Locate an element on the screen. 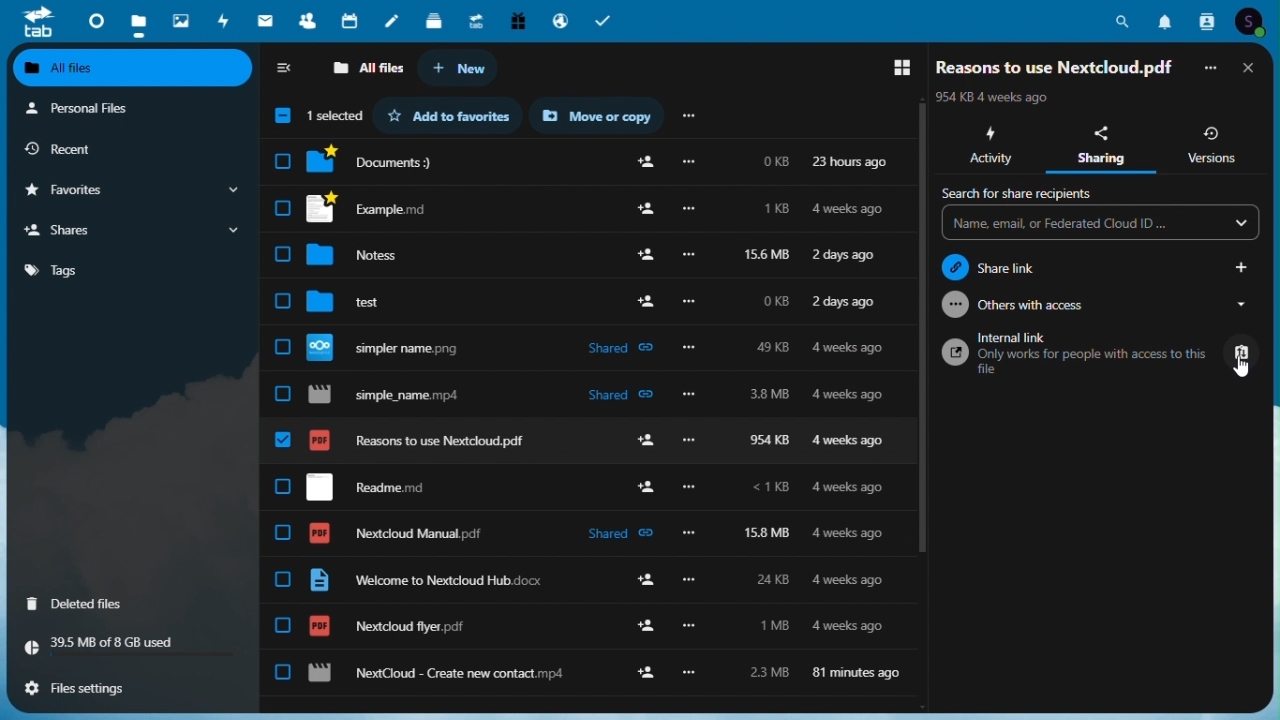 This screenshot has width=1280, height=720. Activity is located at coordinates (225, 21).